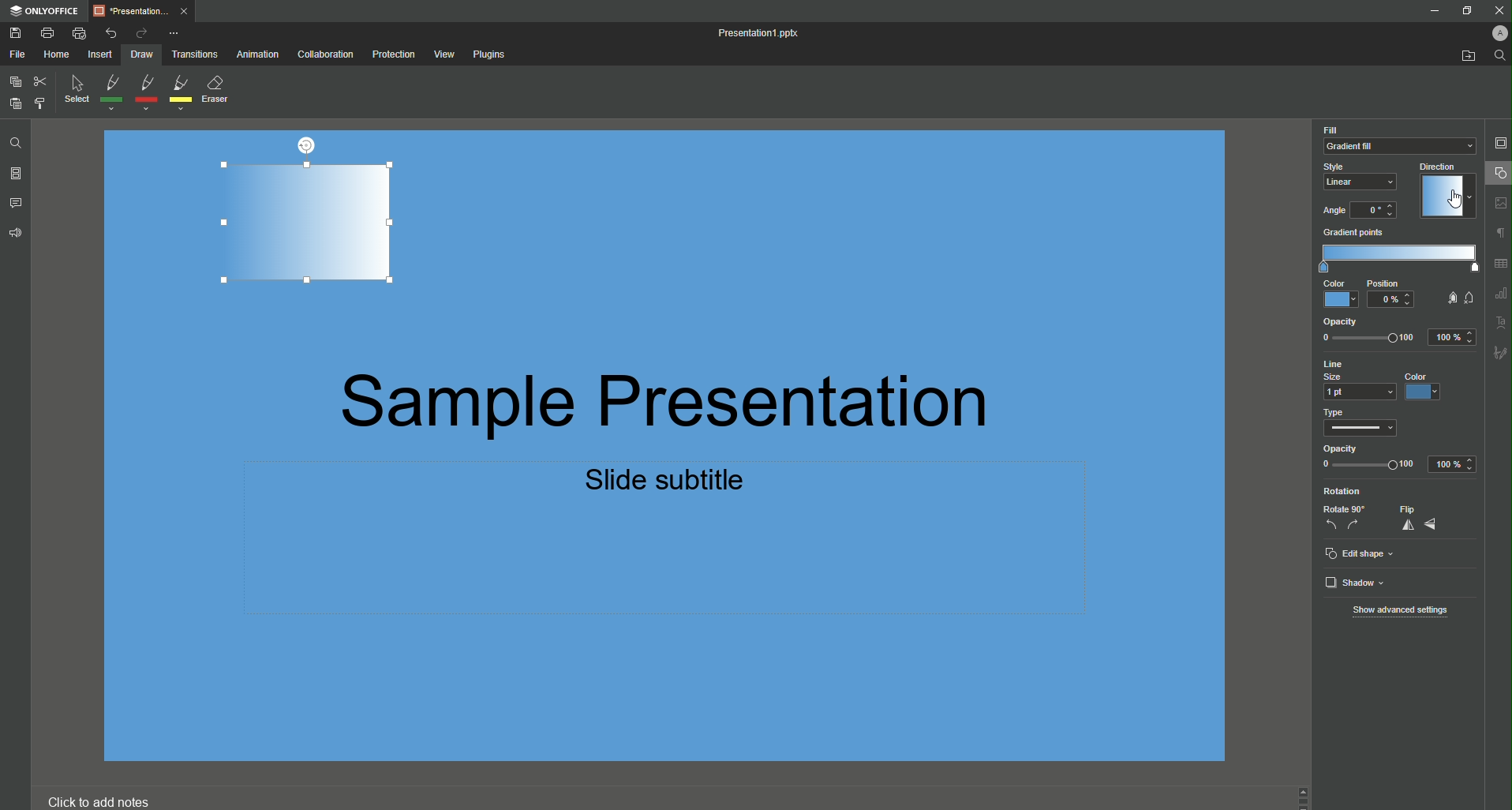 The width and height of the screenshot is (1512, 810). What do you see at coordinates (146, 12) in the screenshot?
I see `Tab 1` at bounding box center [146, 12].